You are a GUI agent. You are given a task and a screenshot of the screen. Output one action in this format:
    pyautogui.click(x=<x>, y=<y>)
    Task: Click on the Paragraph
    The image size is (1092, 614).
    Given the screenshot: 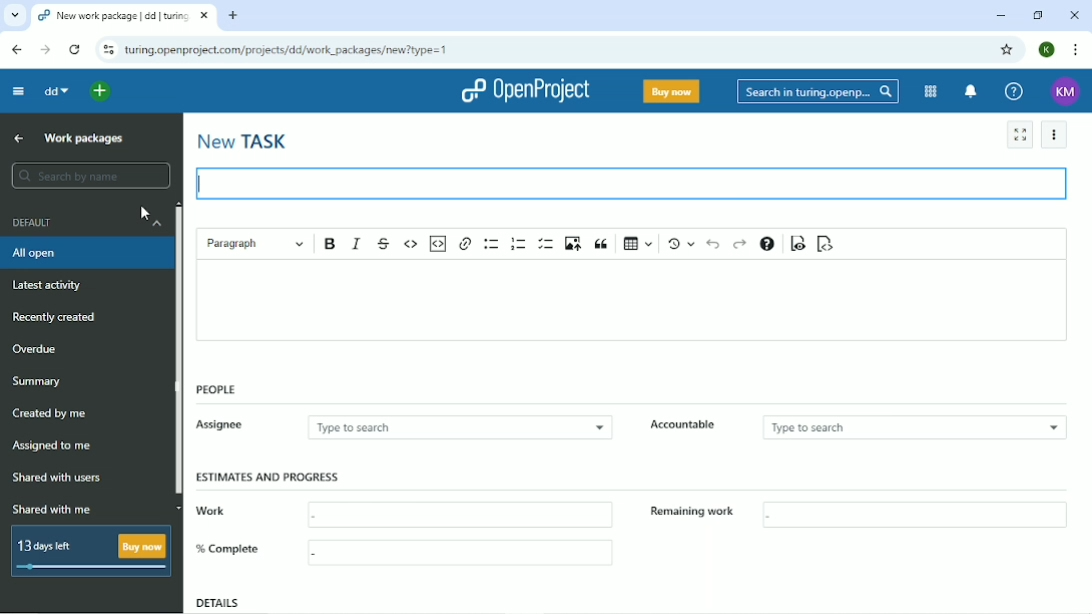 What is the action you would take?
    pyautogui.click(x=255, y=245)
    